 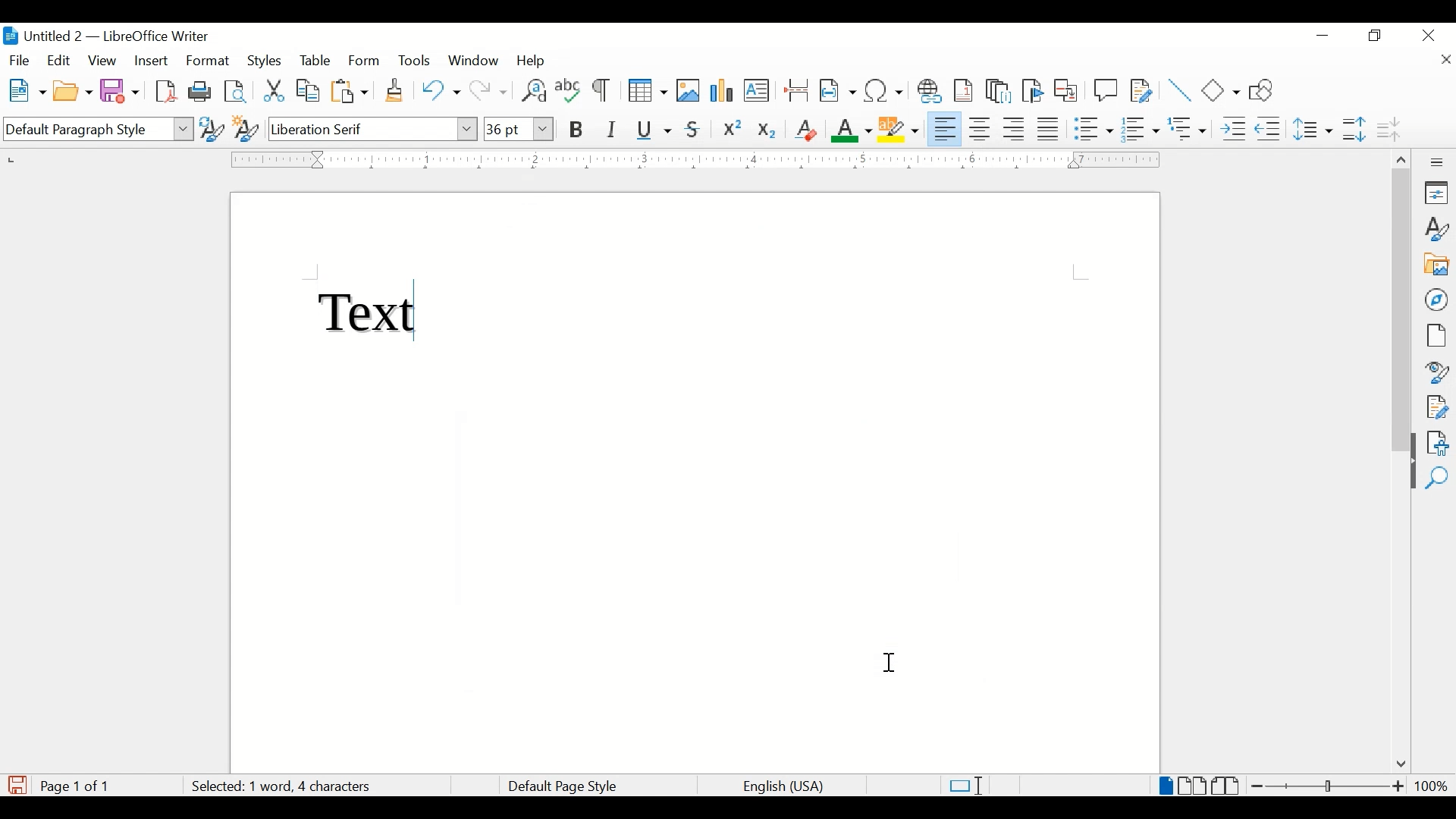 I want to click on increase paragraph spacing, so click(x=1354, y=129).